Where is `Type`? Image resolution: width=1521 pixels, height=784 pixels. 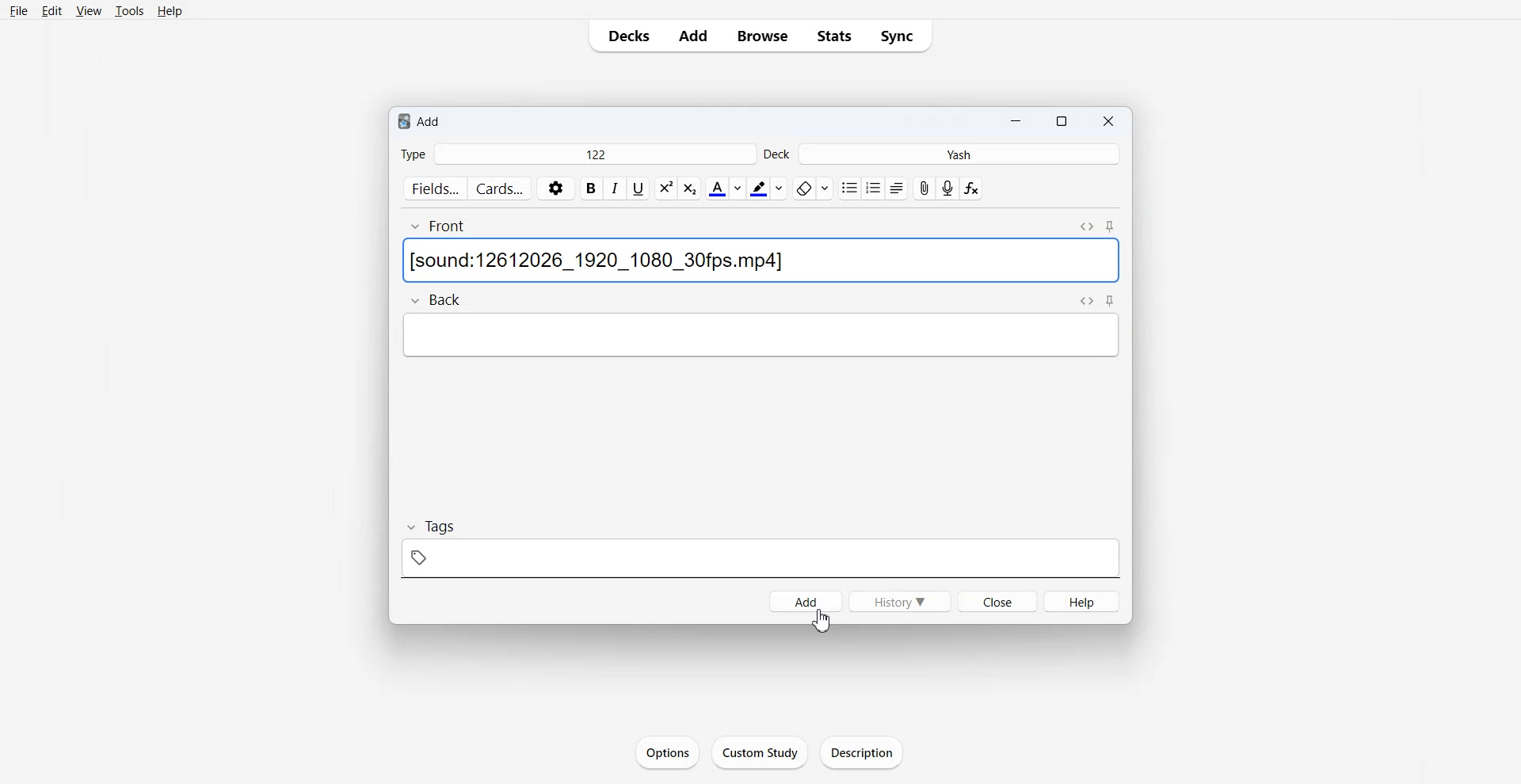 Type is located at coordinates (413, 154).